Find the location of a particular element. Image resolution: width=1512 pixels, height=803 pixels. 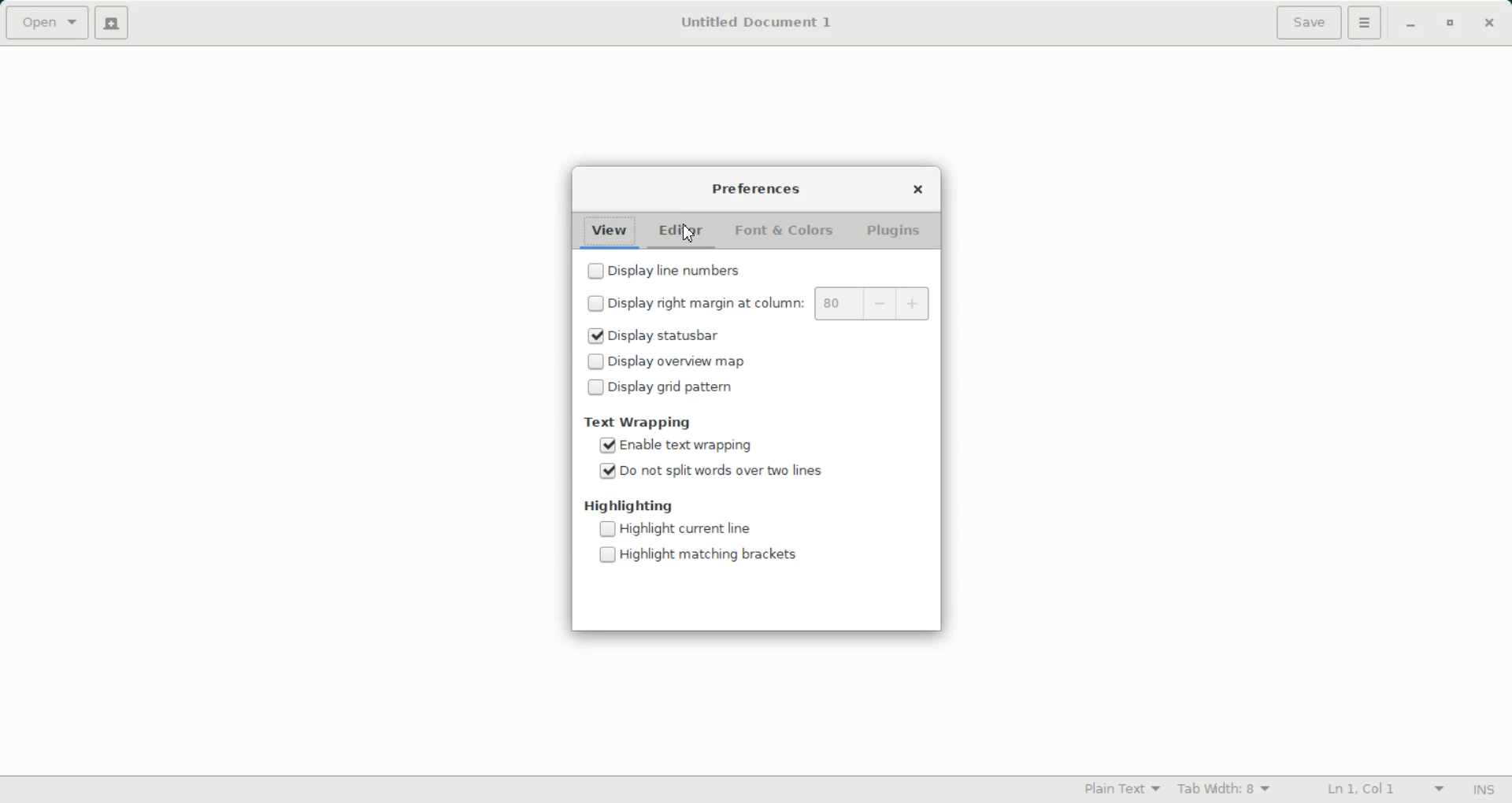

Untitled Document 1 is located at coordinates (758, 24).